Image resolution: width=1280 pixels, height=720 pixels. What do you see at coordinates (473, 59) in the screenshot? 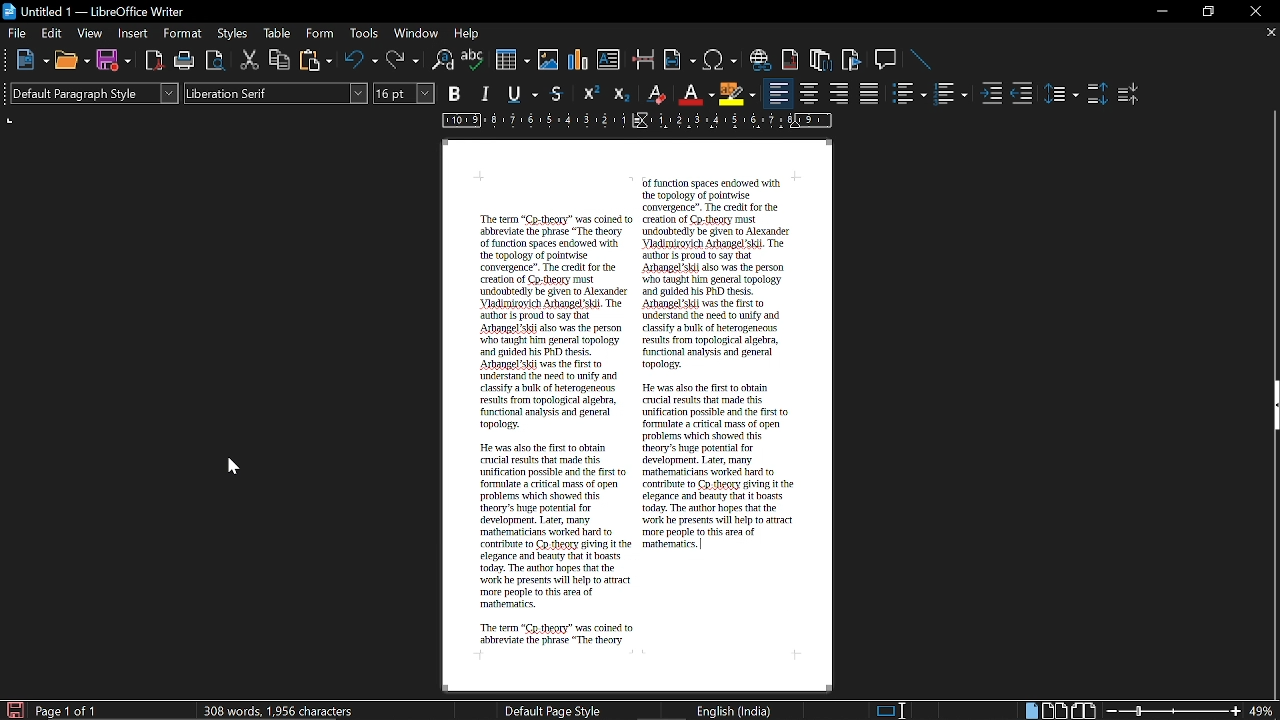
I see `Spell check` at bounding box center [473, 59].